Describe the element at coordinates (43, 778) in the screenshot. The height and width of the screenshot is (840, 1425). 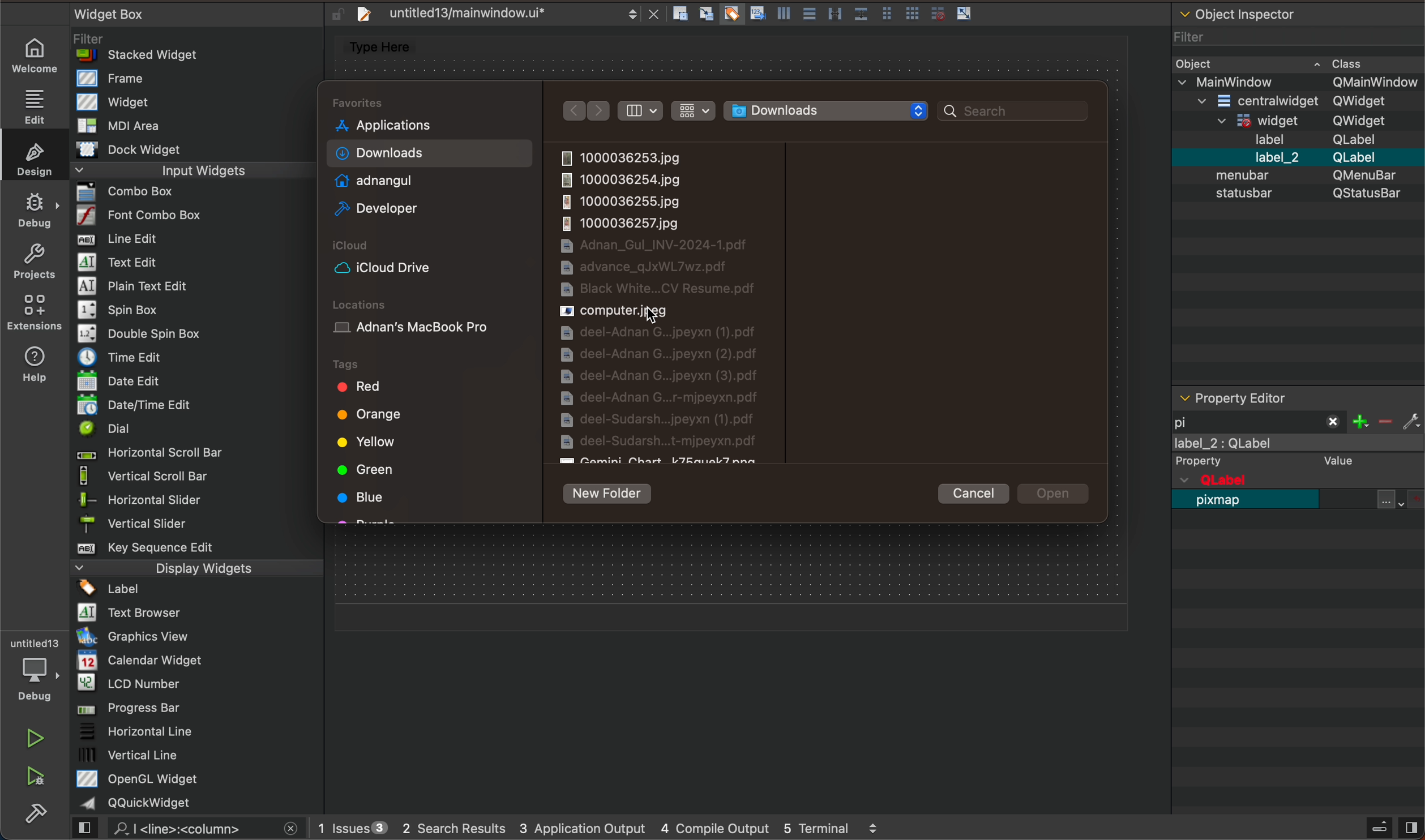
I see `ran and debug` at that location.